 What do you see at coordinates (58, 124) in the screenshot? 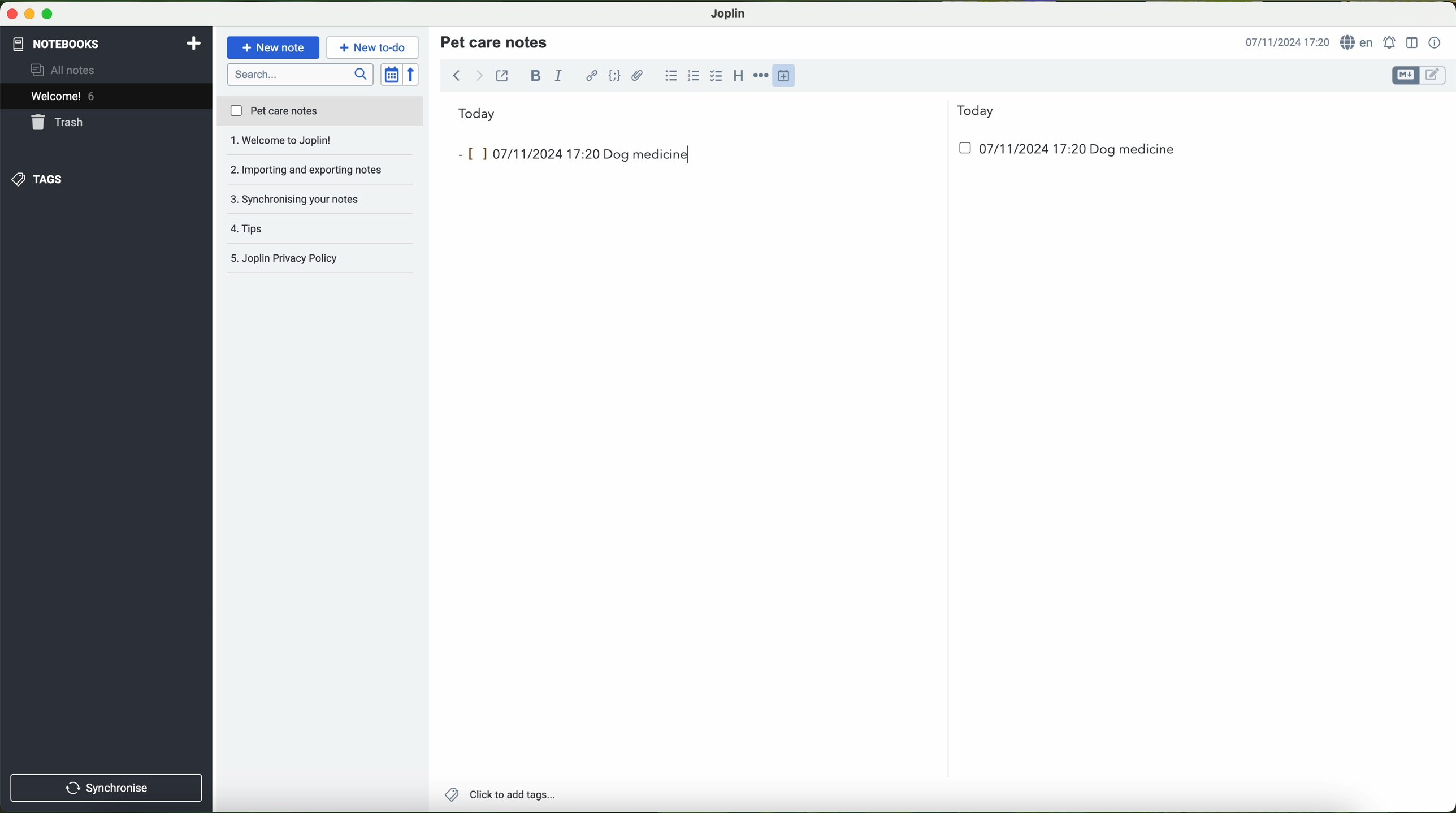
I see `trash` at bounding box center [58, 124].